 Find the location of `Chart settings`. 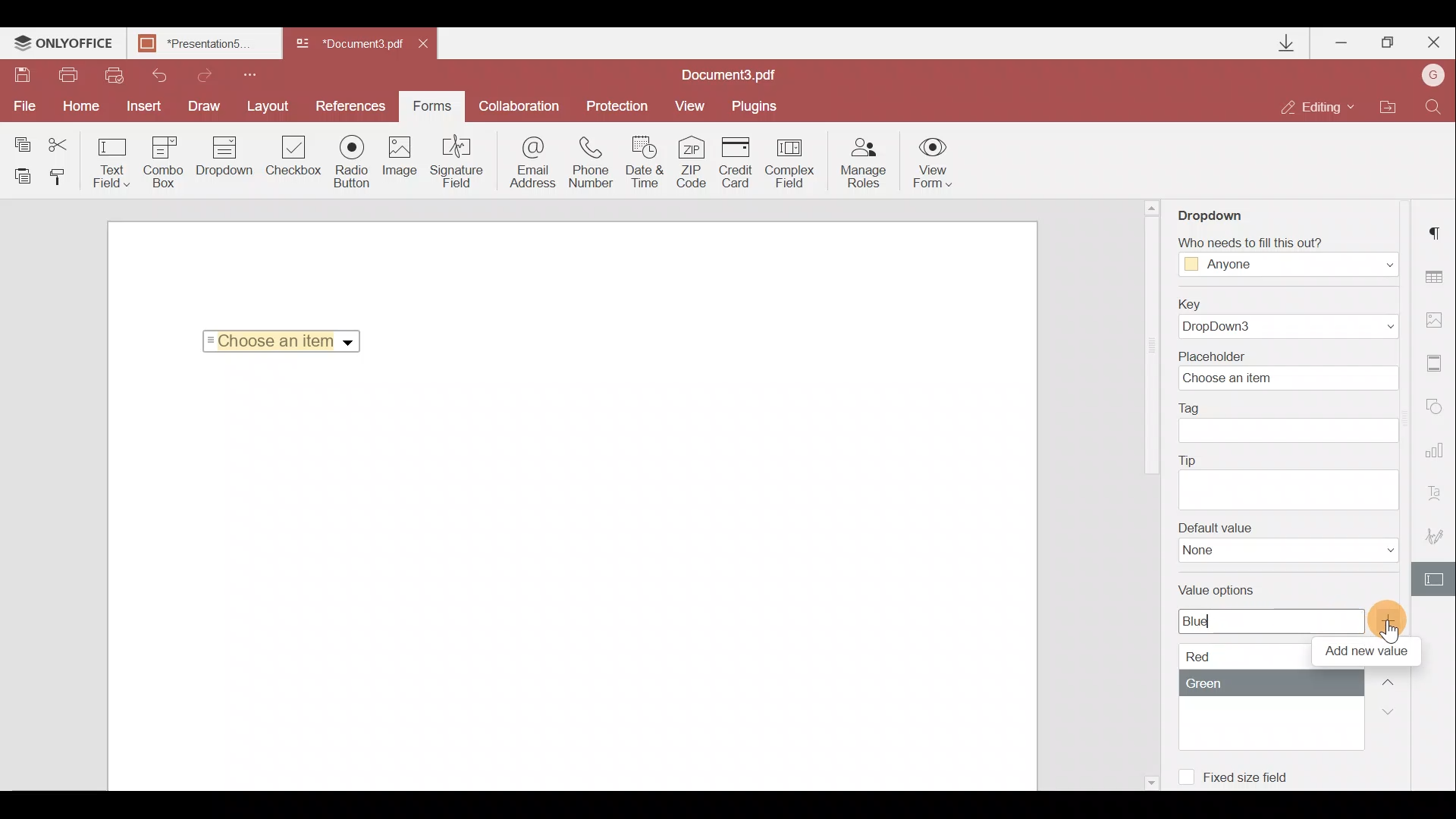

Chart settings is located at coordinates (1438, 450).